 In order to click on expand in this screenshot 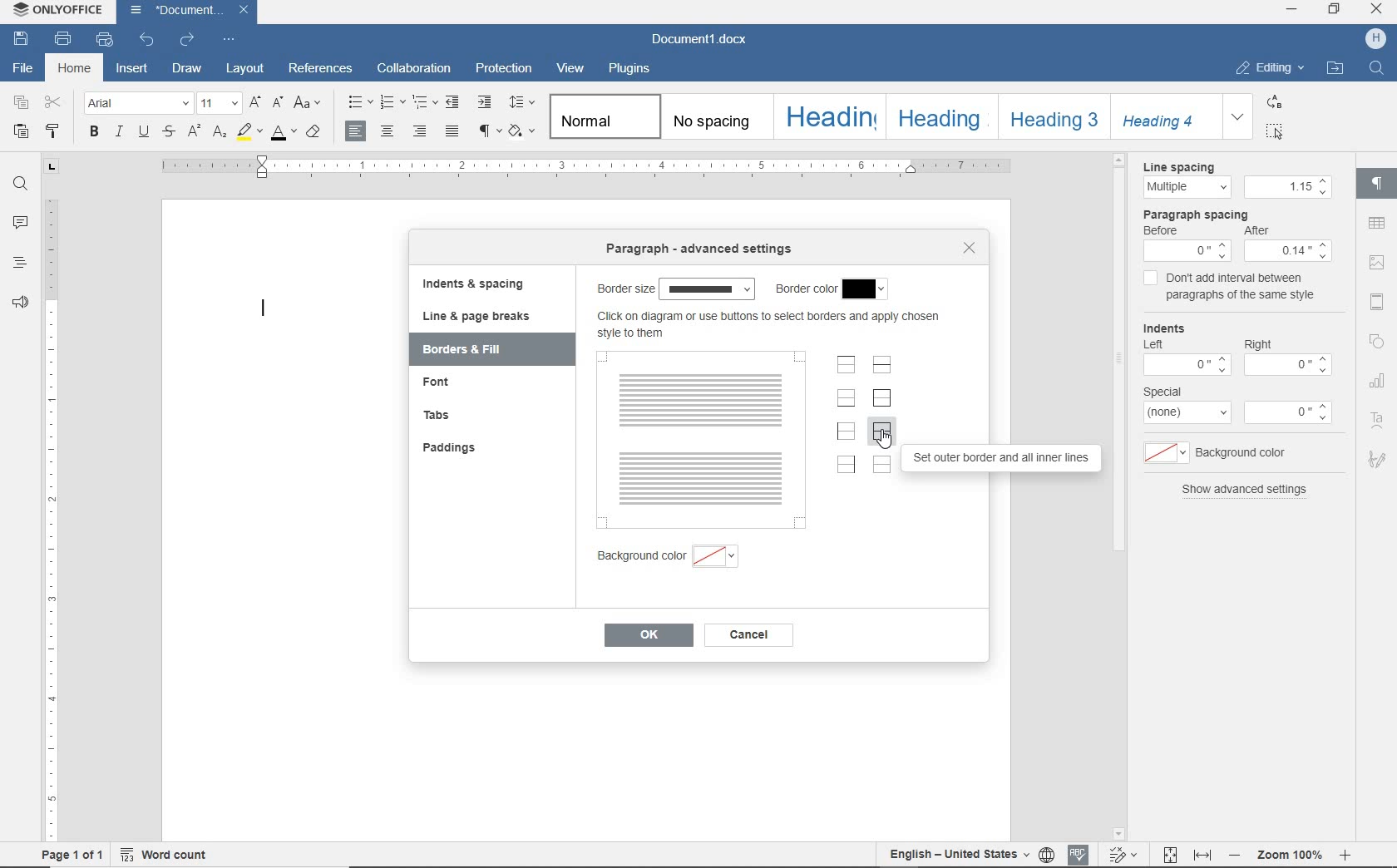, I will do `click(1237, 116)`.